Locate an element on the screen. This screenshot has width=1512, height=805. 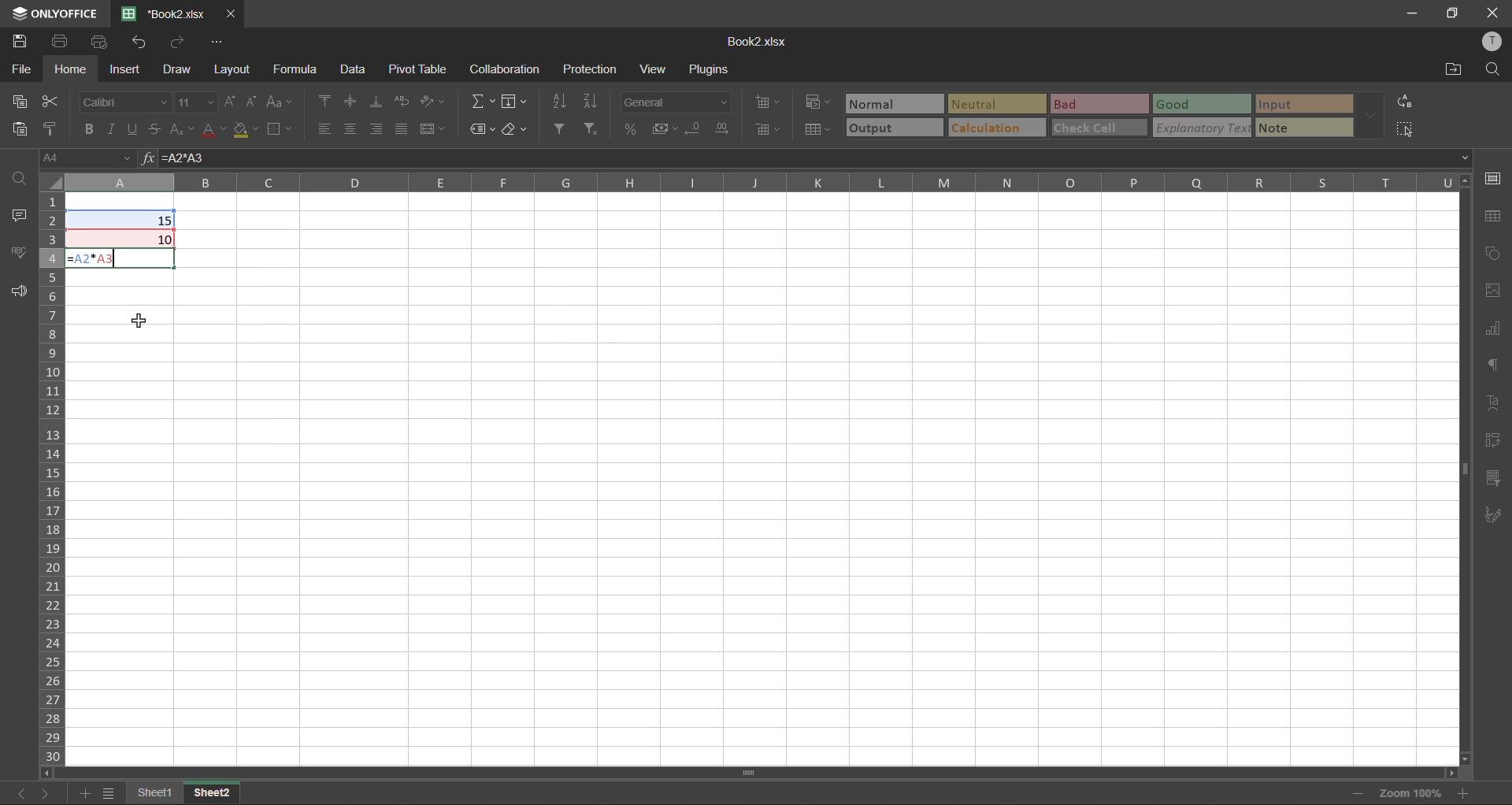
align bottom is located at coordinates (380, 100).